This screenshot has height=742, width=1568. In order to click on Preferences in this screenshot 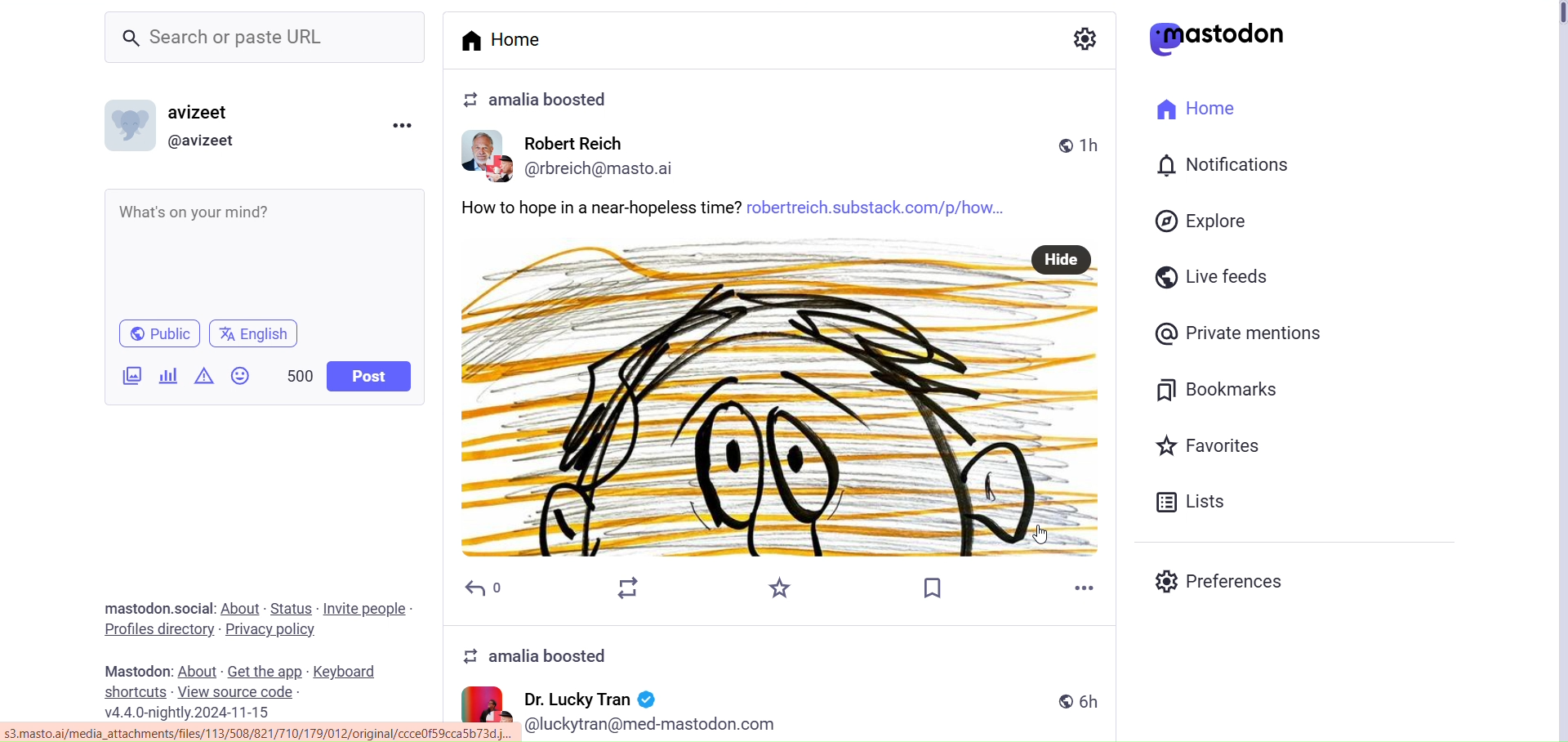, I will do `click(1220, 581)`.